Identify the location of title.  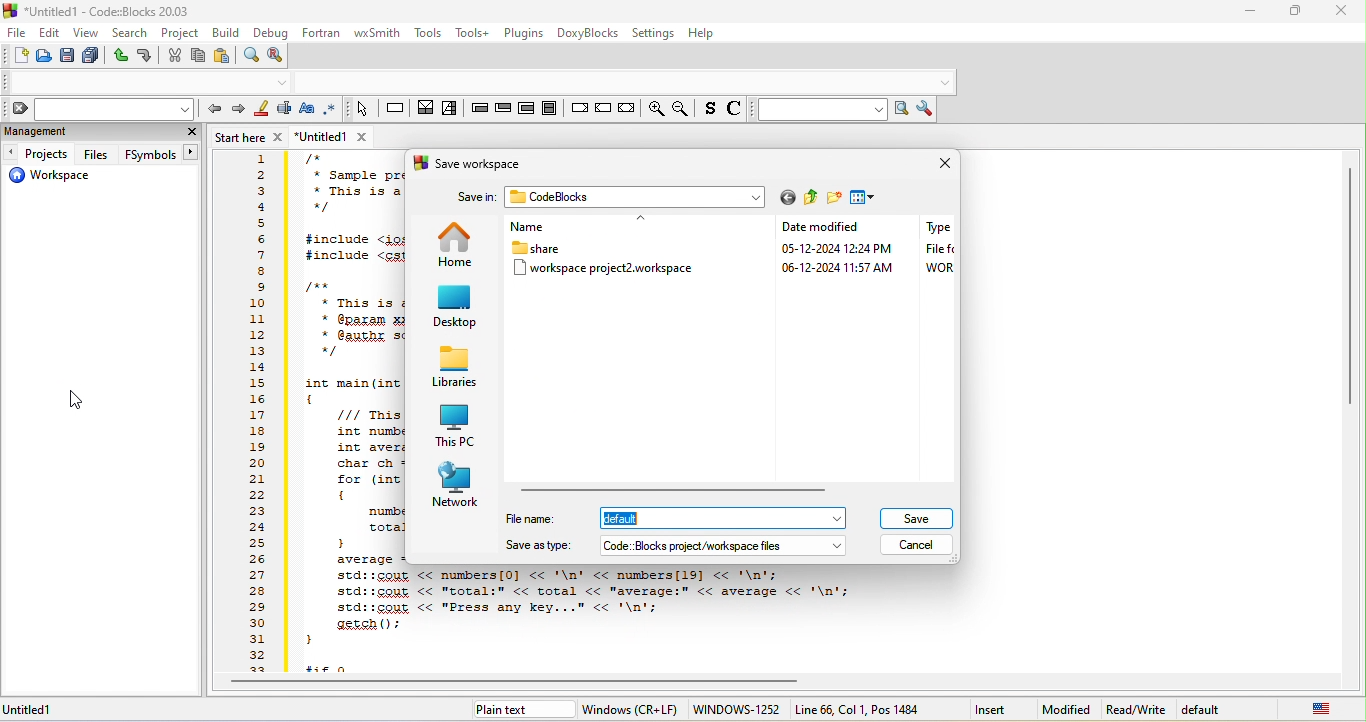
(103, 11).